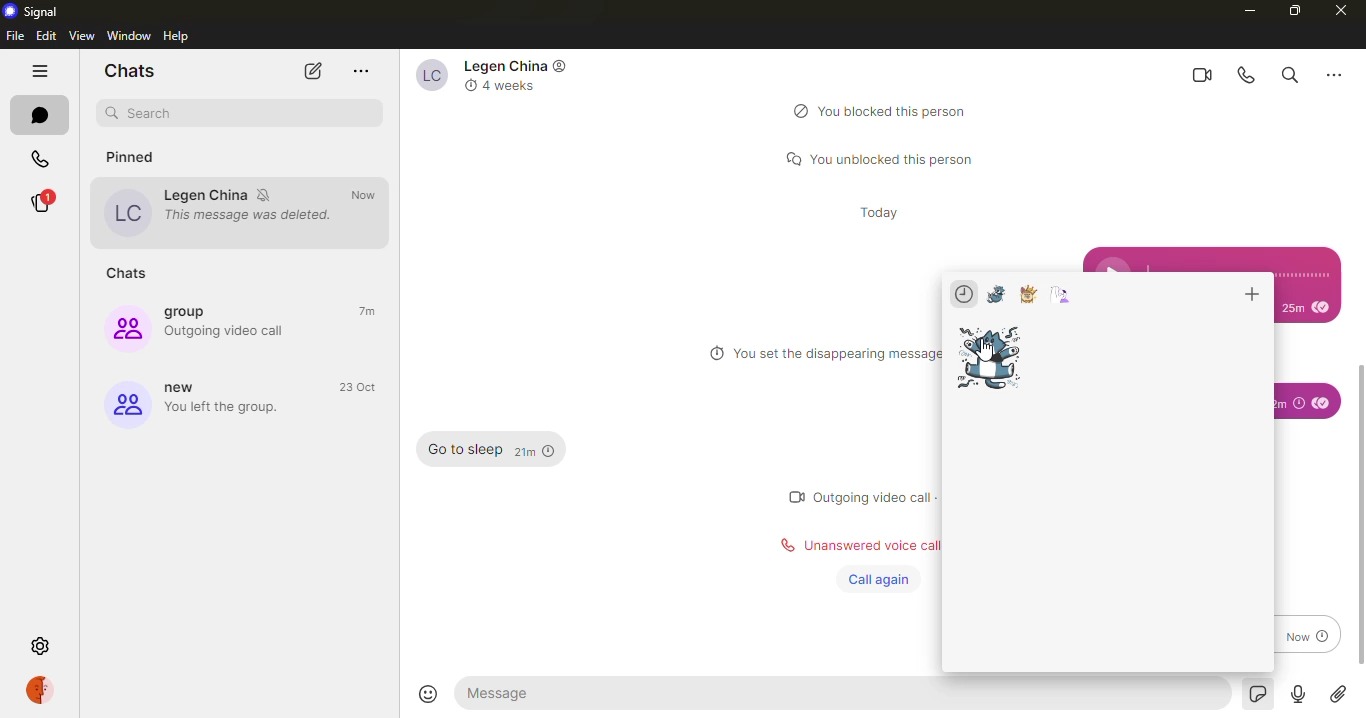  Describe the element at coordinates (314, 71) in the screenshot. I see `new chat` at that location.